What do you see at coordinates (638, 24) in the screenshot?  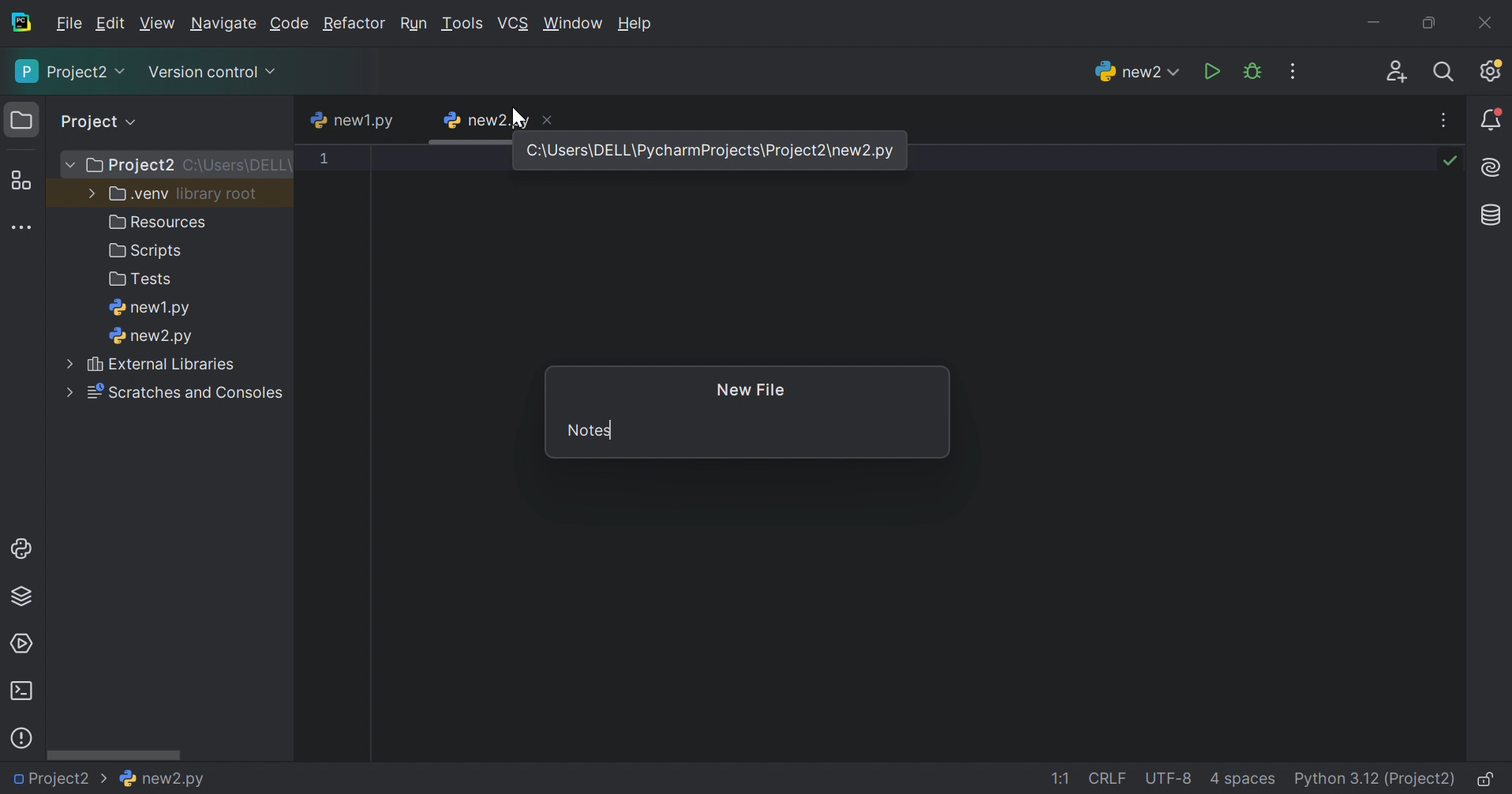 I see `Help` at bounding box center [638, 24].